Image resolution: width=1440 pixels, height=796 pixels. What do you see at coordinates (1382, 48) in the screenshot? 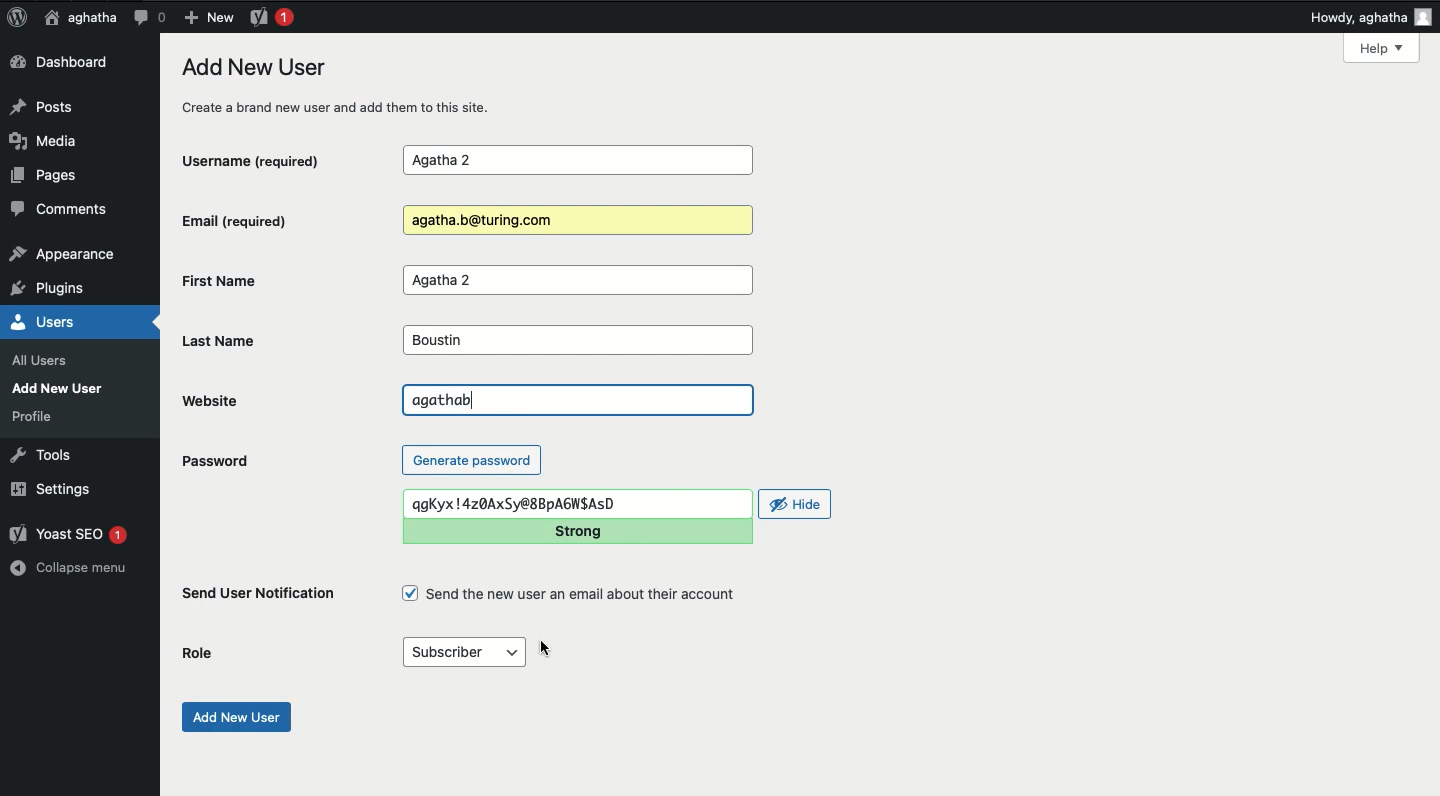
I see `Help` at bounding box center [1382, 48].